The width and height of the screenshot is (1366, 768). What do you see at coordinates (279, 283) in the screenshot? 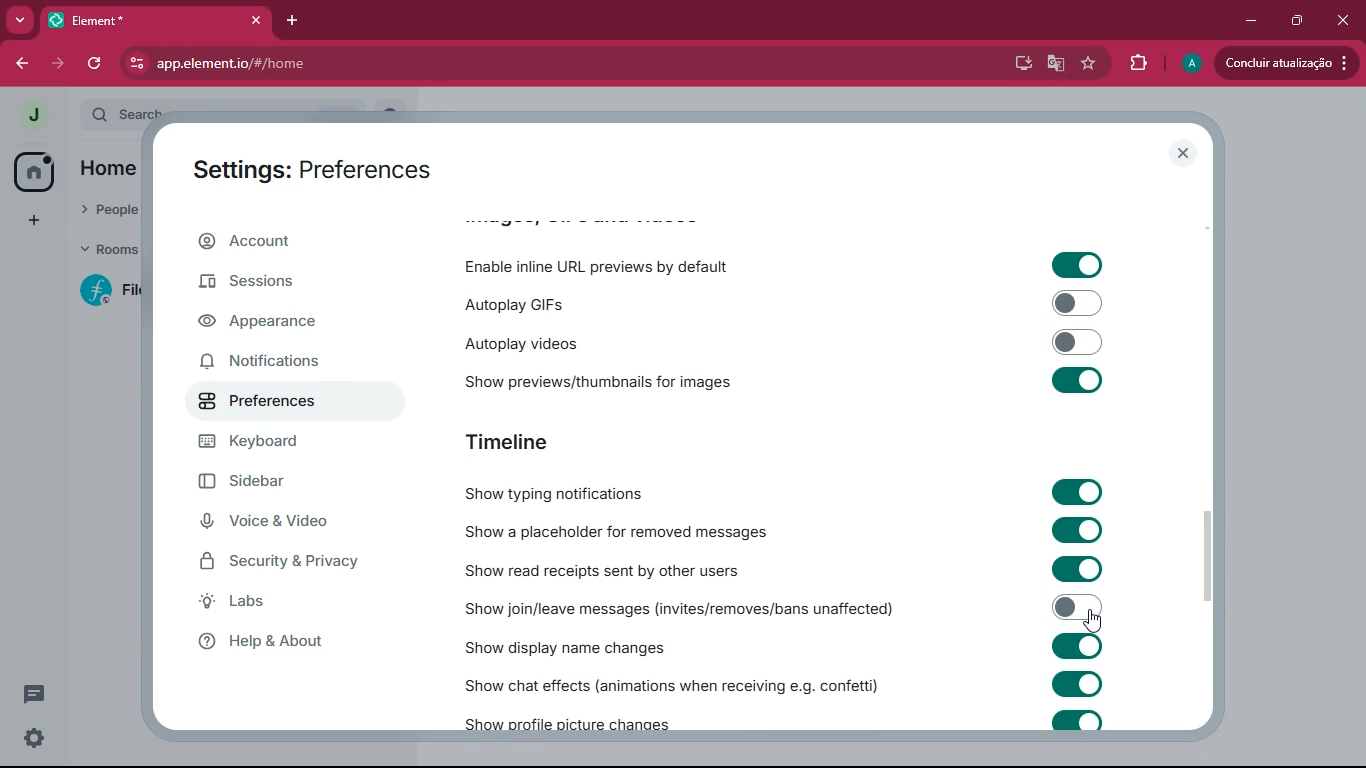
I see `sessions` at bounding box center [279, 283].